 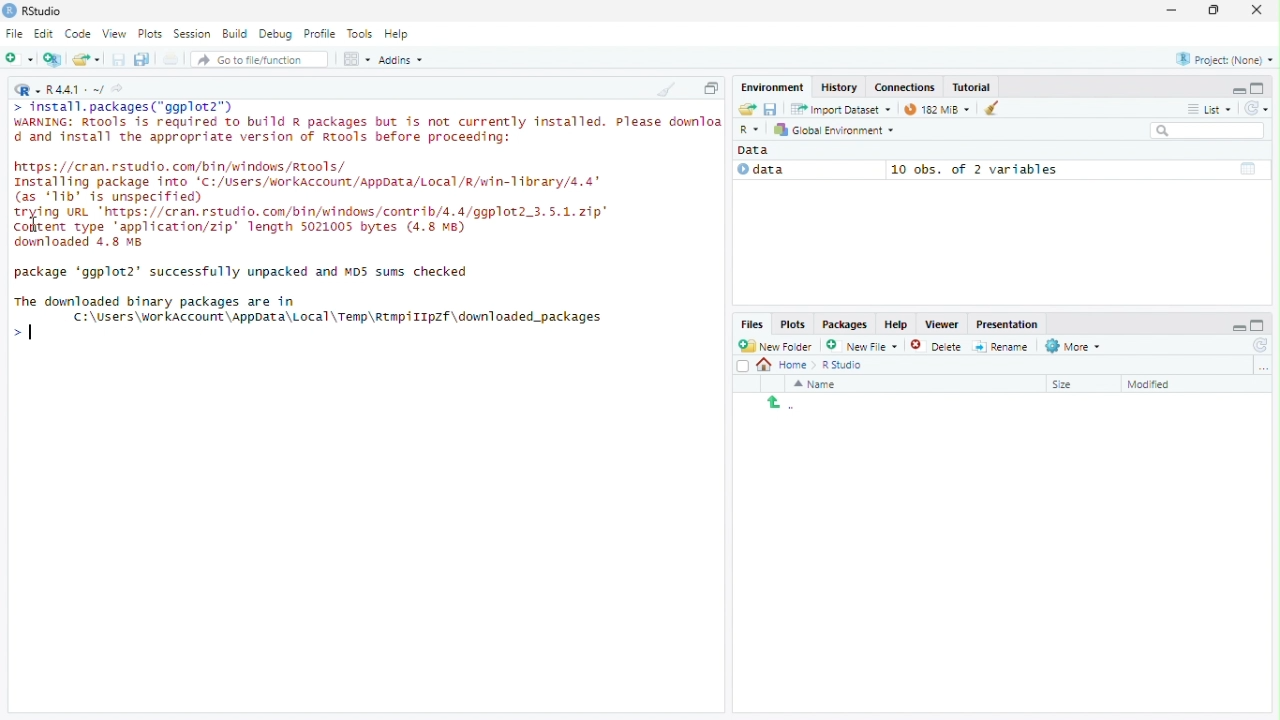 I want to click on Maximize, so click(x=1216, y=10).